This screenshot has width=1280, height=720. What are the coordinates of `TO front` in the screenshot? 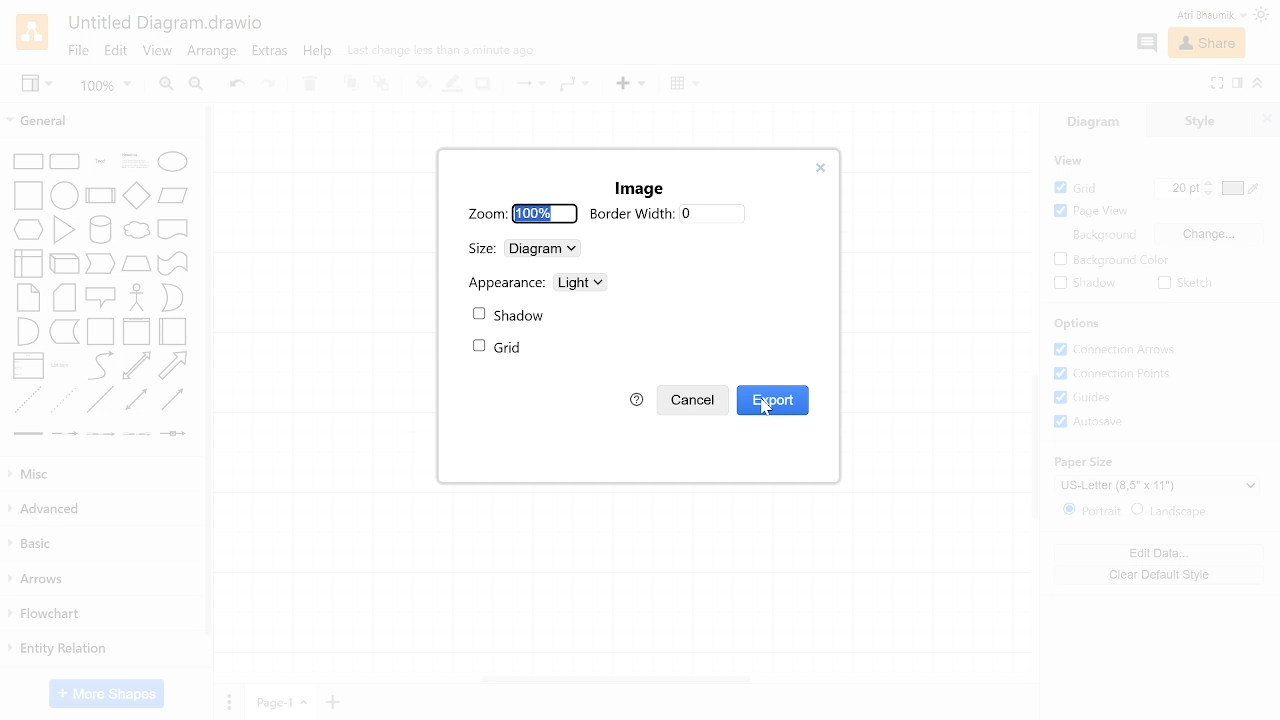 It's located at (352, 85).